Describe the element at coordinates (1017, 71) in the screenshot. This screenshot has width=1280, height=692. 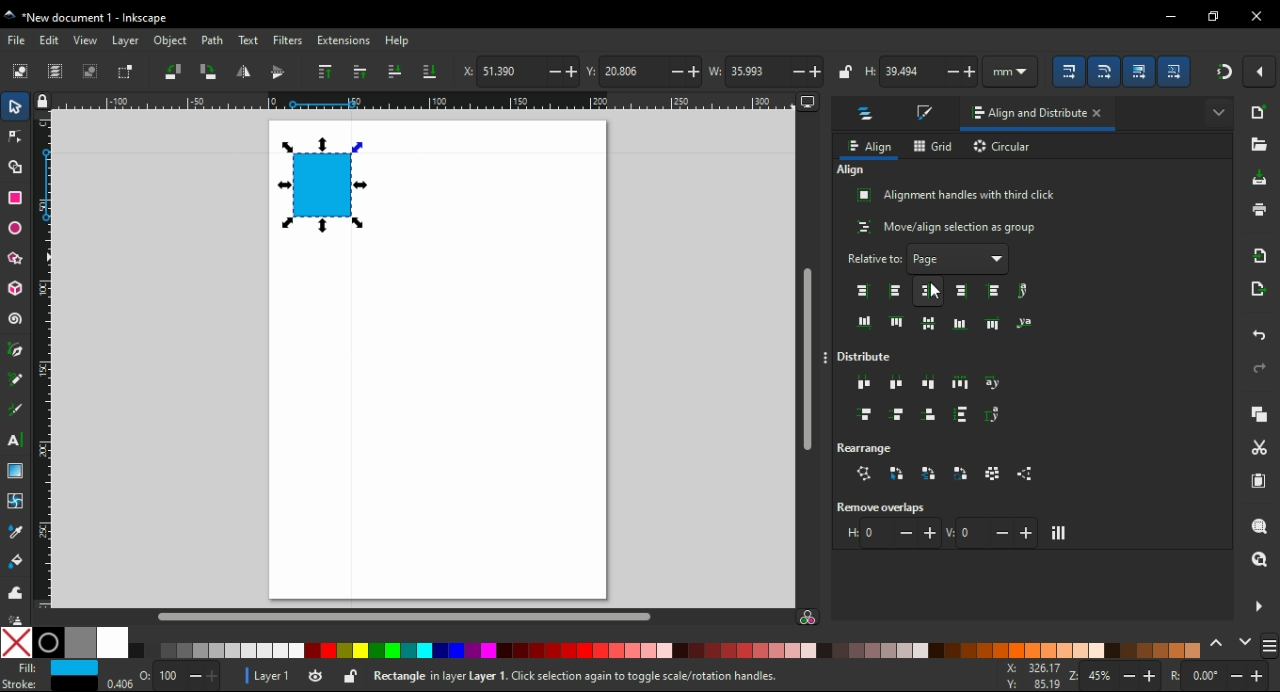
I see `units` at that location.